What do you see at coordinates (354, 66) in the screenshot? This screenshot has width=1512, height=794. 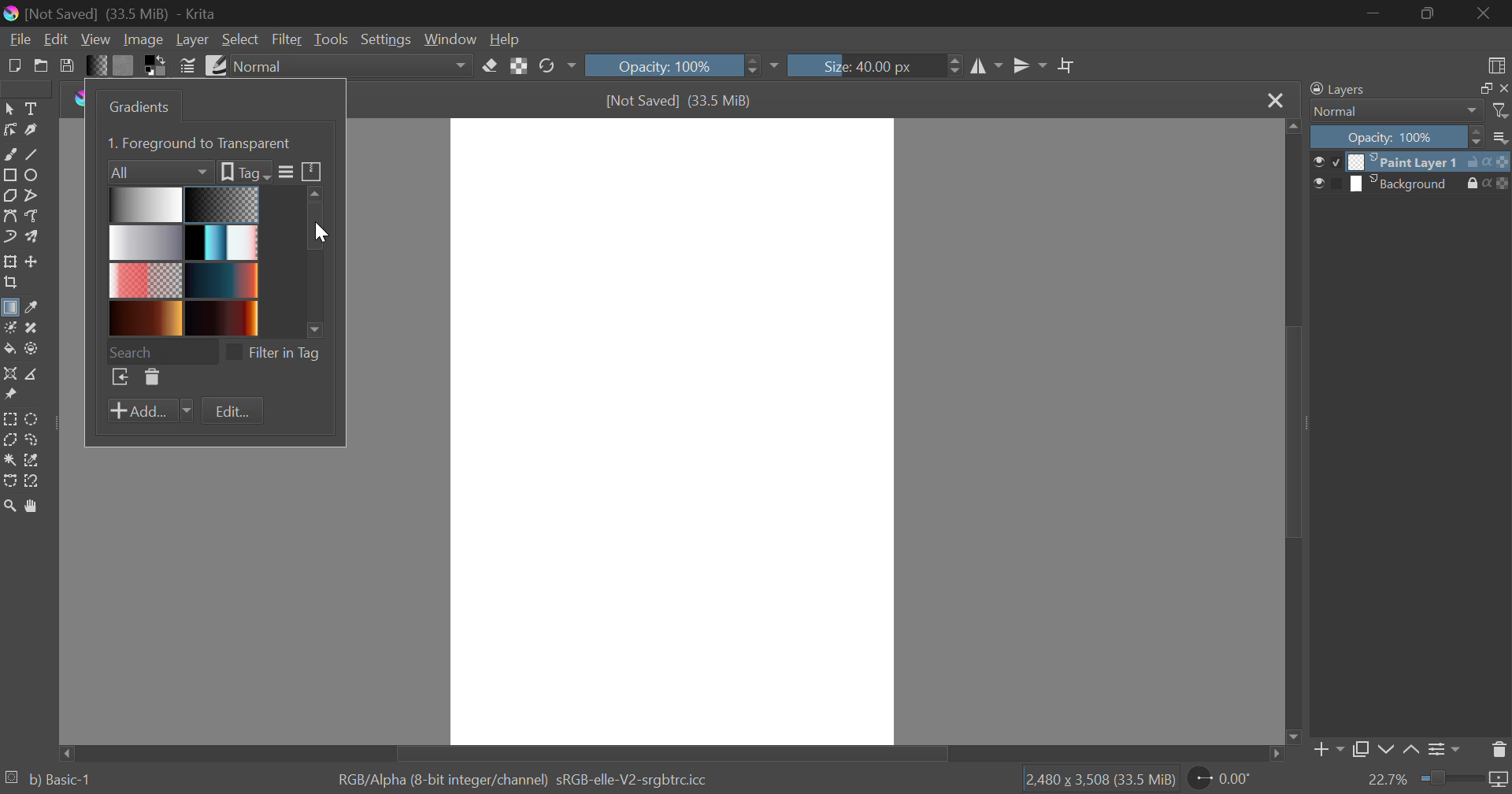 I see `Normal` at bounding box center [354, 66].